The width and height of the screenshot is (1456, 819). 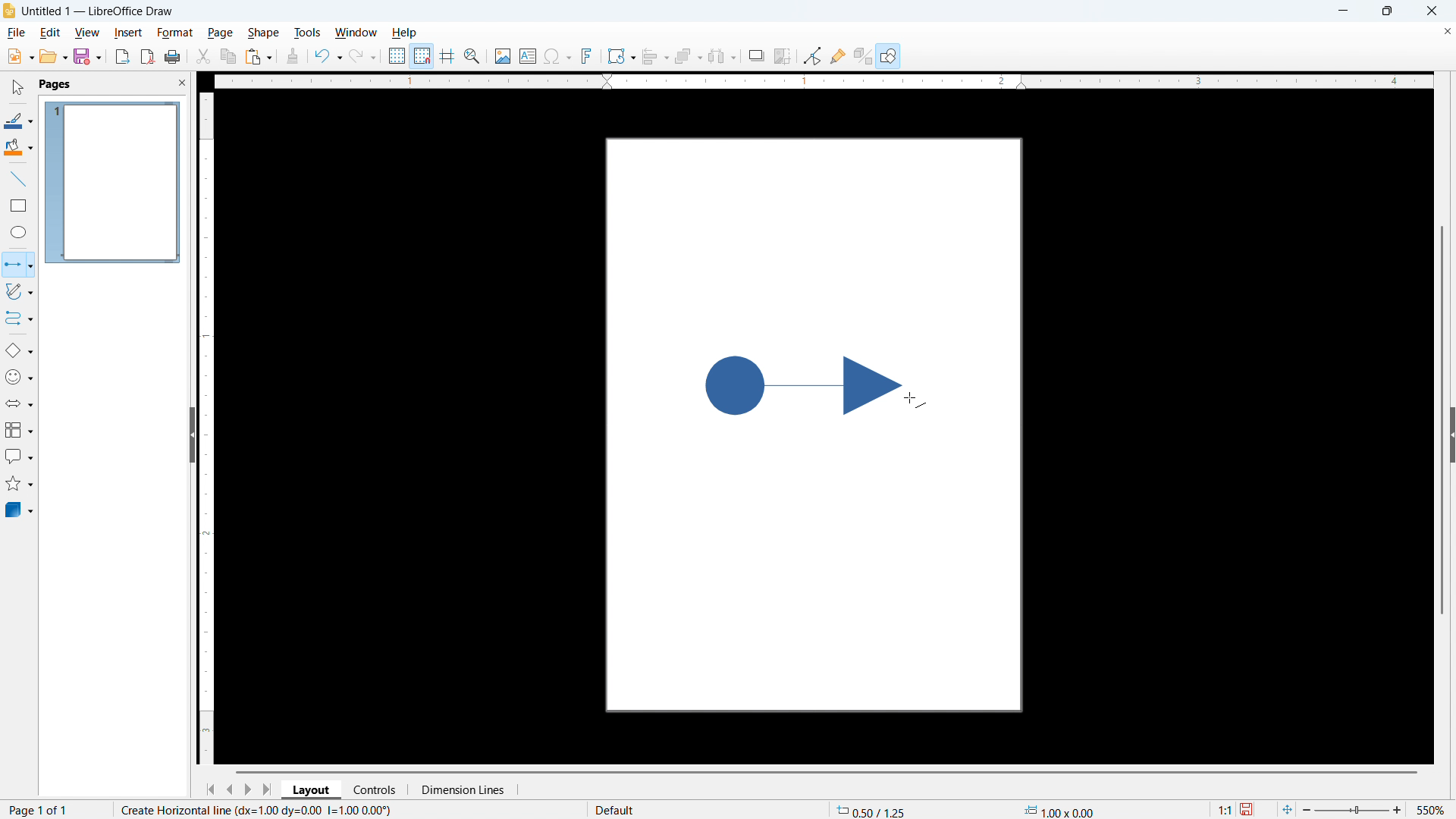 What do you see at coordinates (19, 231) in the screenshot?
I see `Ellipse ` at bounding box center [19, 231].